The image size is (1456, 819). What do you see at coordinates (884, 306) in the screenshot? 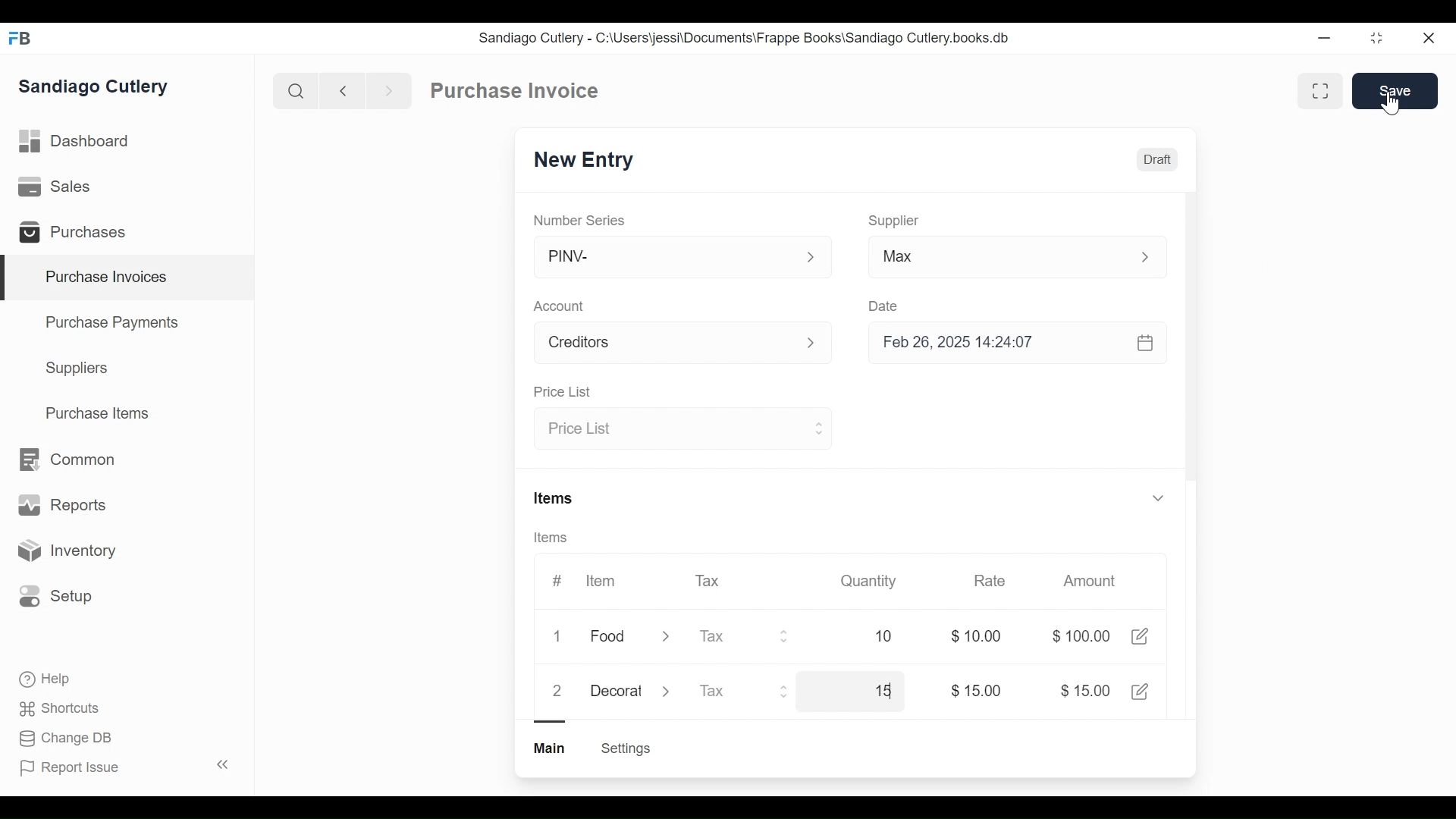
I see `Date` at bounding box center [884, 306].